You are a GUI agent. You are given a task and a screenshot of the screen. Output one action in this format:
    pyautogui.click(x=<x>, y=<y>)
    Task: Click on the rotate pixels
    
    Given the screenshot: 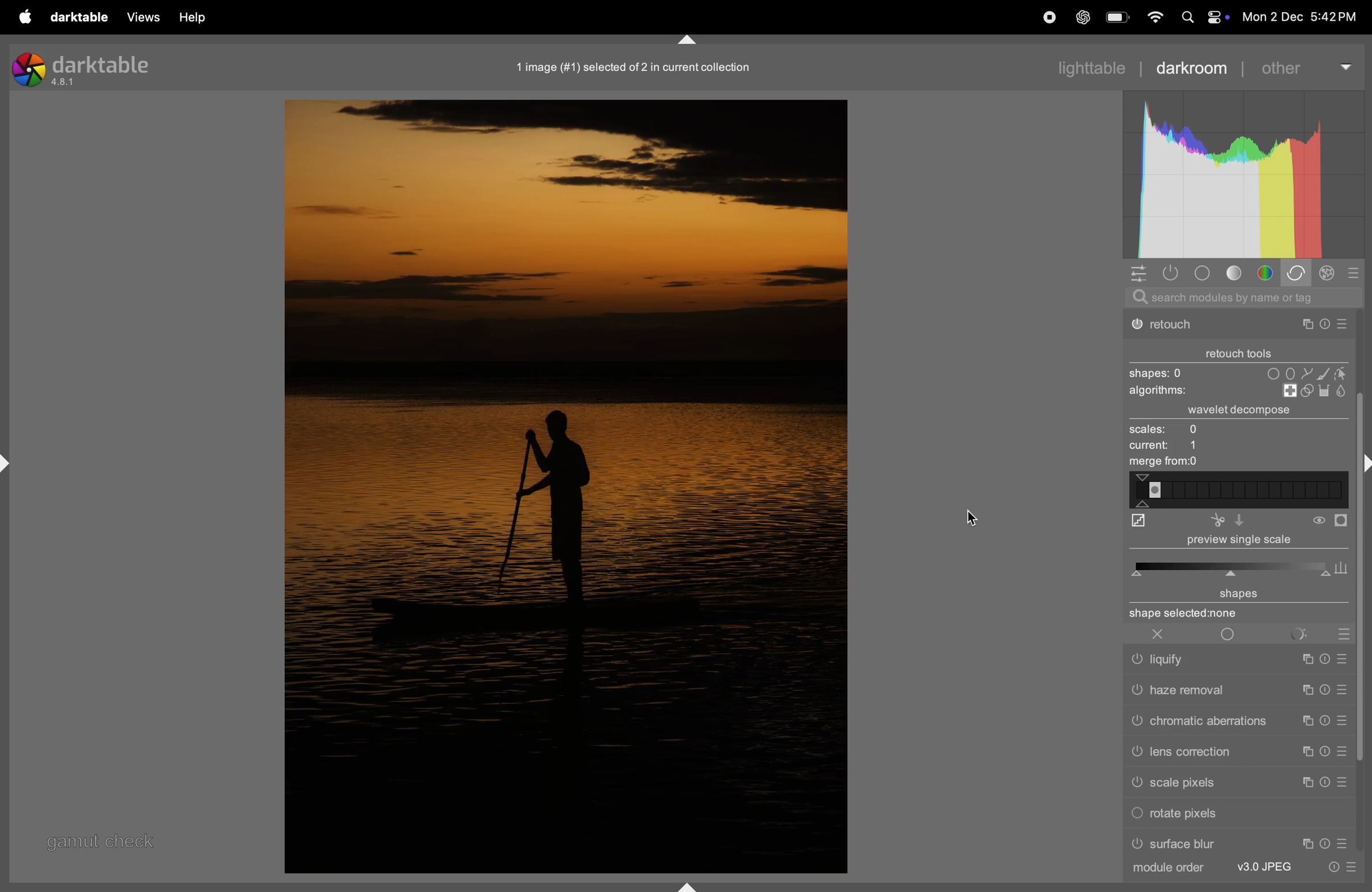 What is the action you would take?
    pyautogui.click(x=1186, y=815)
    